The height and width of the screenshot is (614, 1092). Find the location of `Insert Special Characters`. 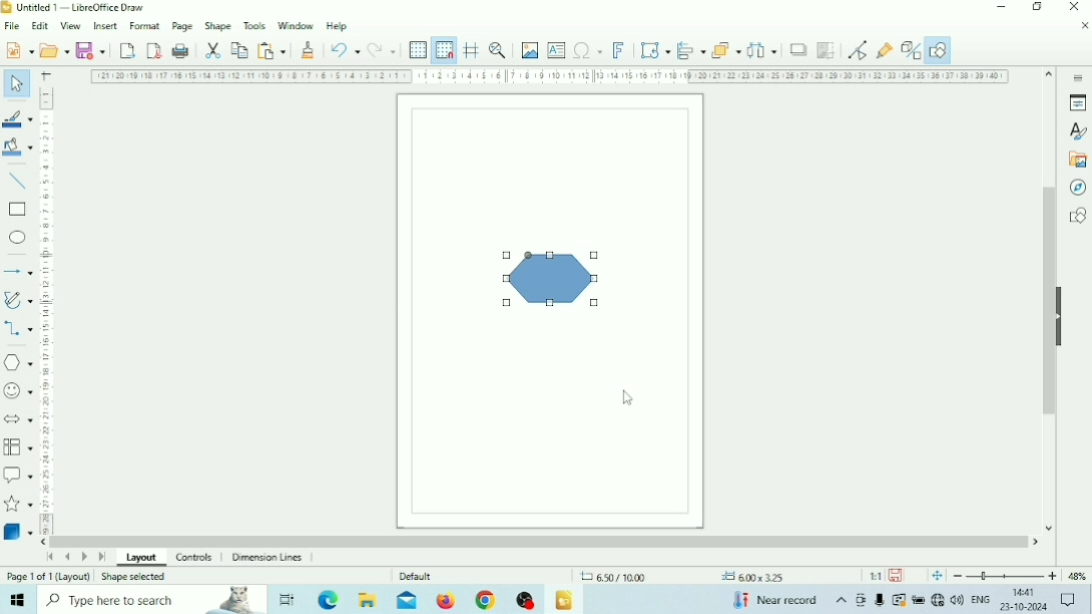

Insert Special Characters is located at coordinates (588, 50).